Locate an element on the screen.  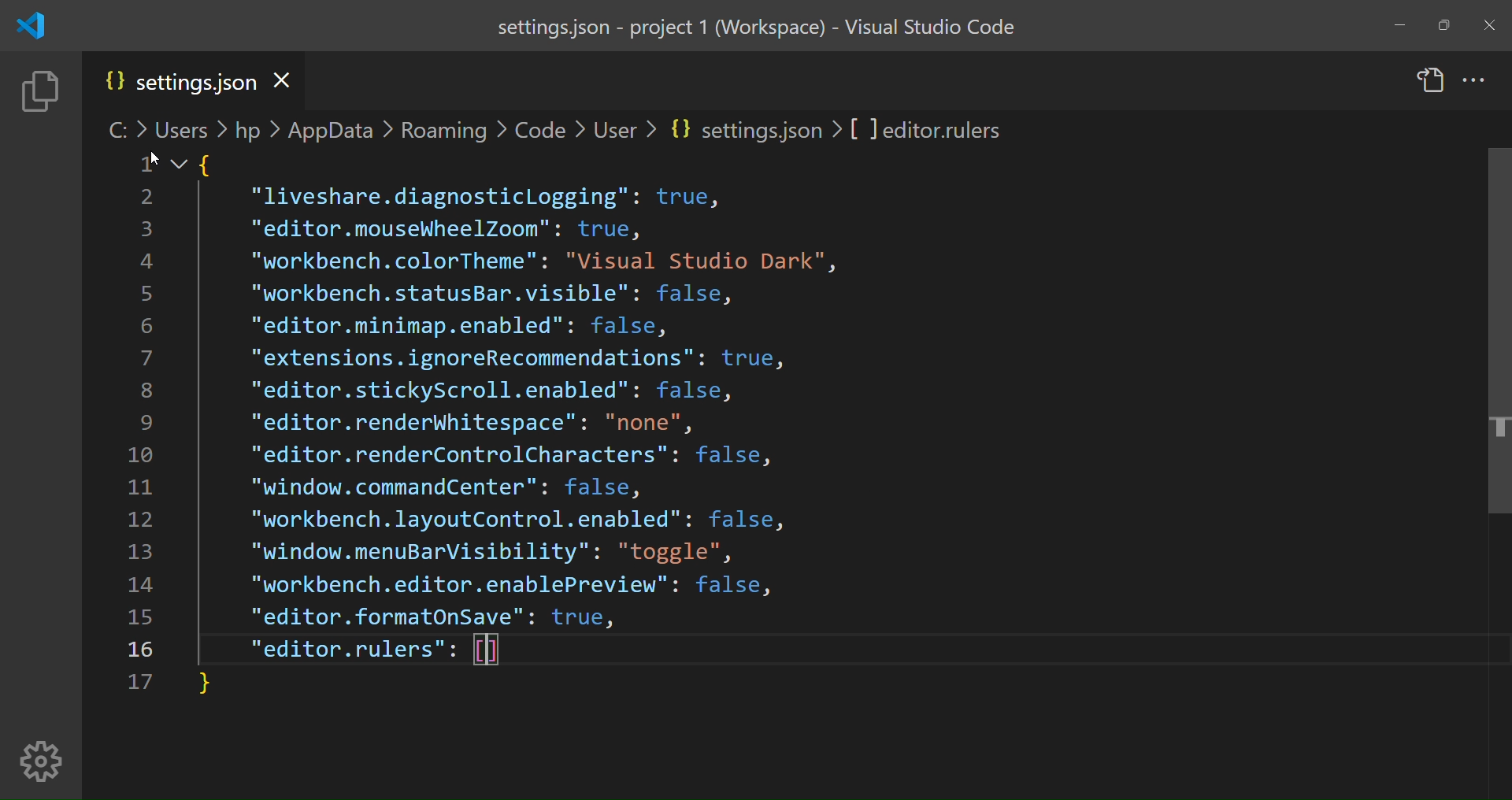
cursor is located at coordinates (153, 158).